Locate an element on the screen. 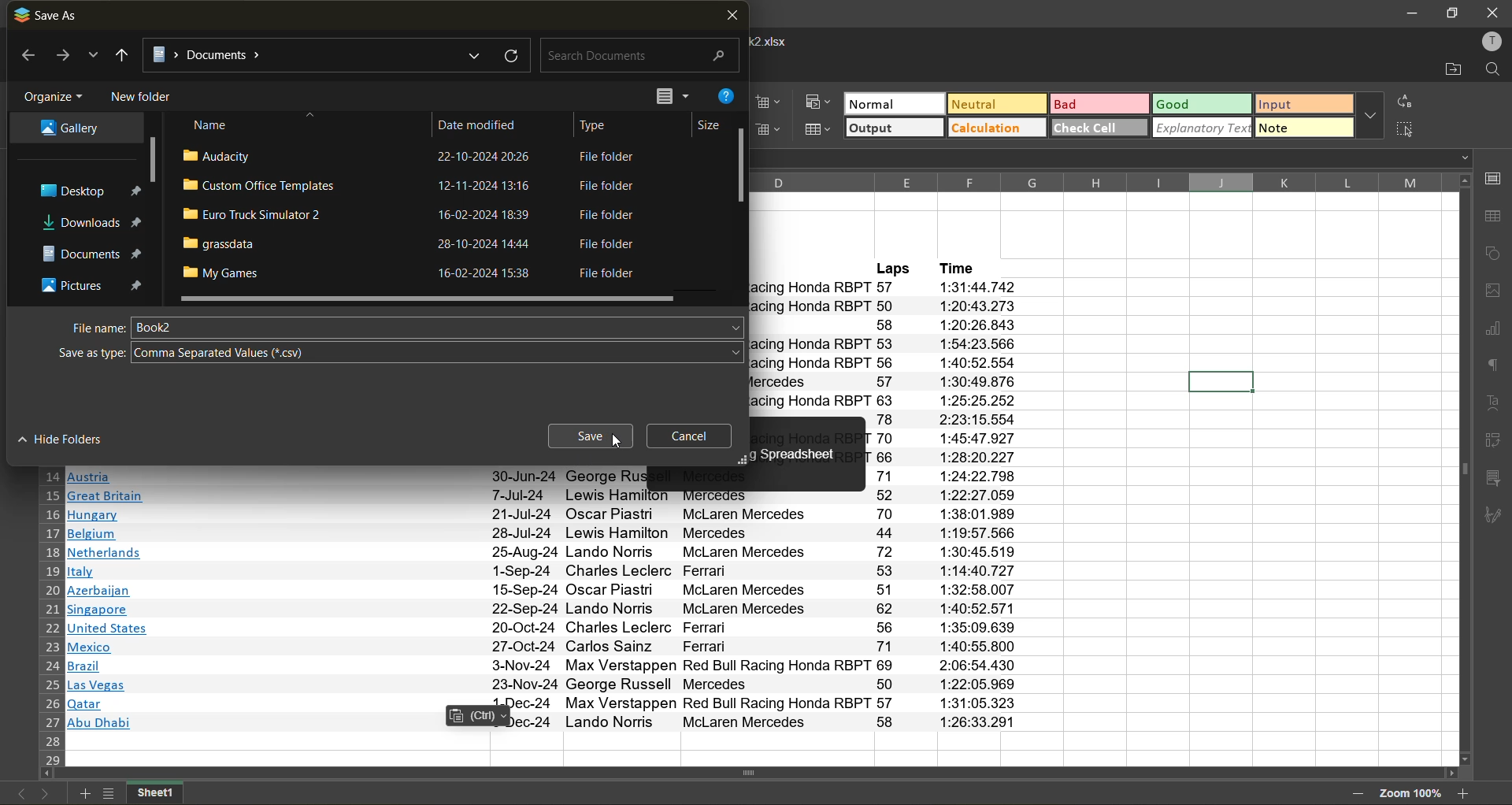  organize is located at coordinates (54, 94).